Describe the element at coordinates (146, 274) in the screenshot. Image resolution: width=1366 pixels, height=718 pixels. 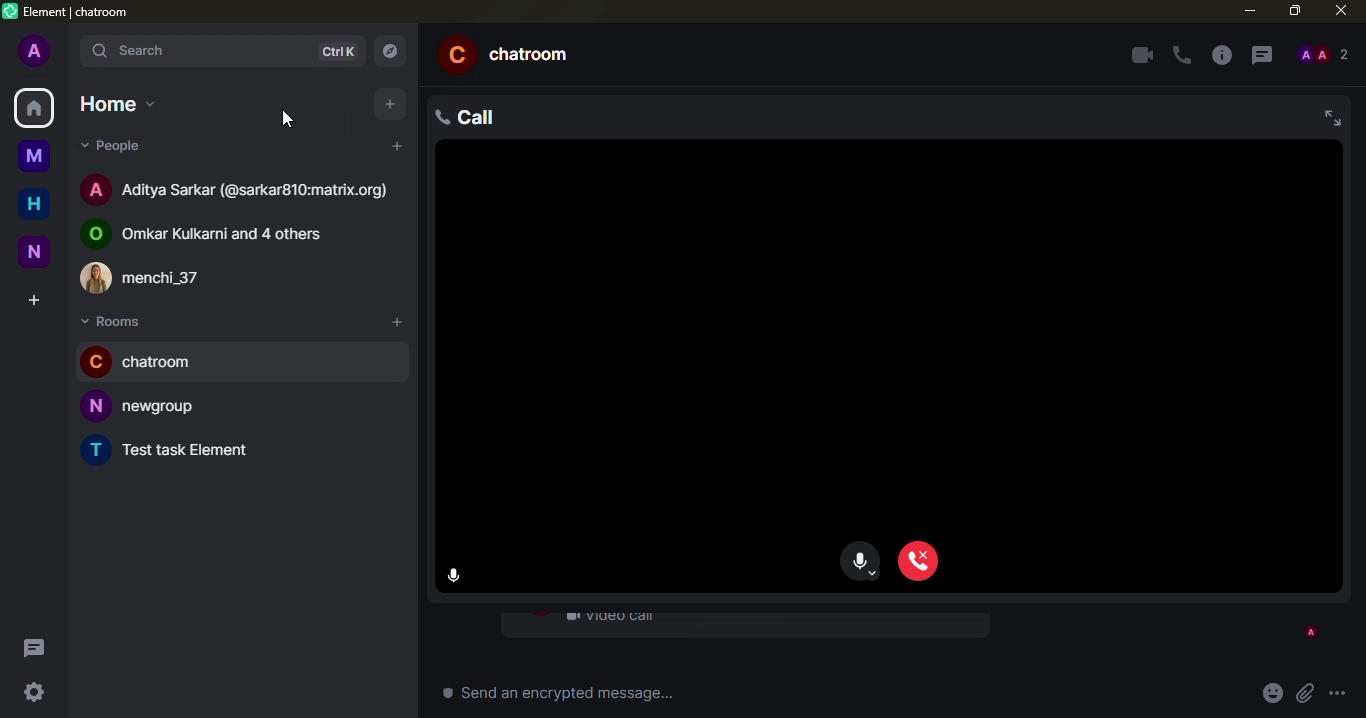
I see `menchi_37` at that location.